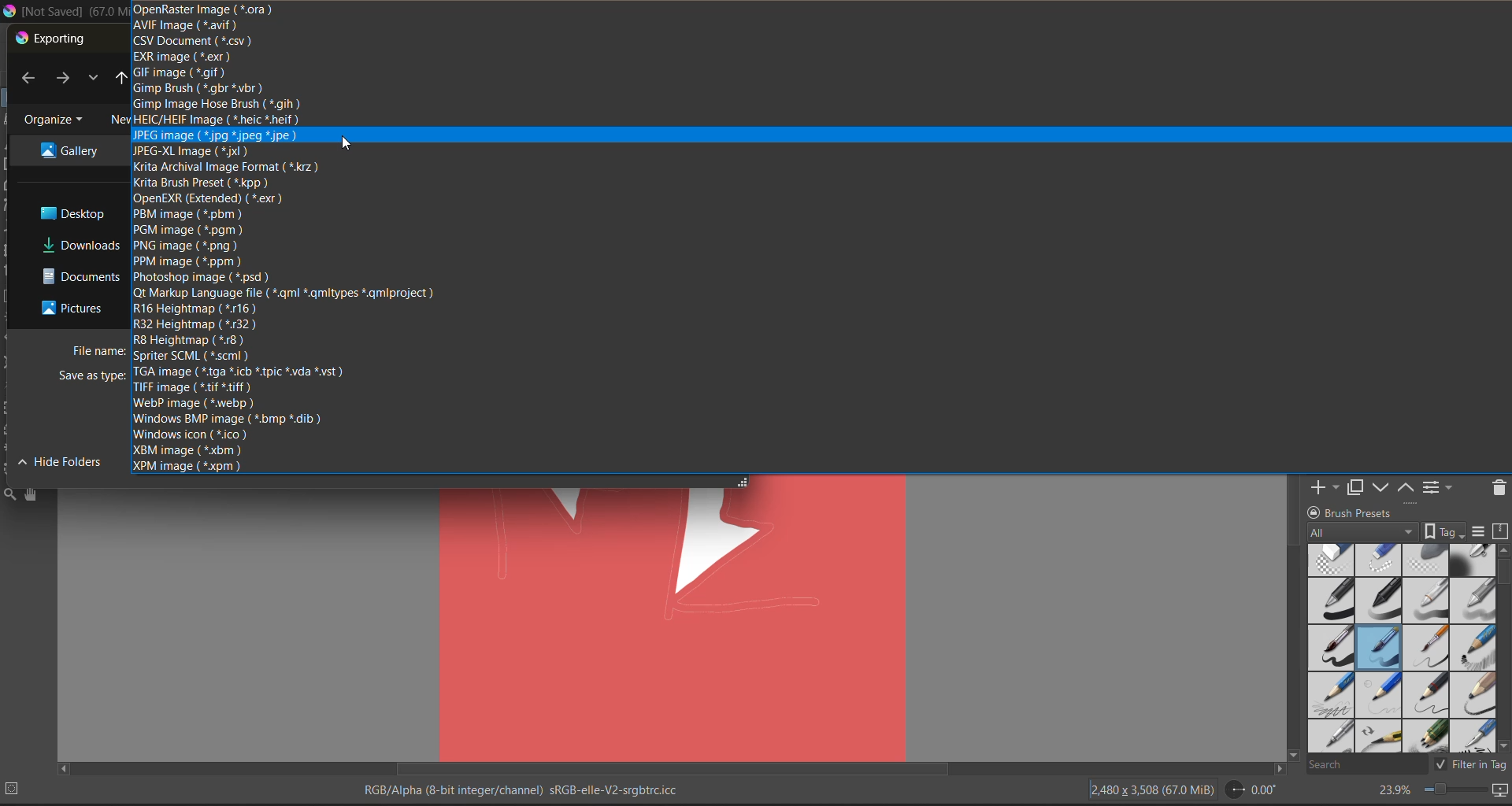 Image resolution: width=1512 pixels, height=806 pixels. Describe the element at coordinates (190, 435) in the screenshot. I see `windows icon` at that location.